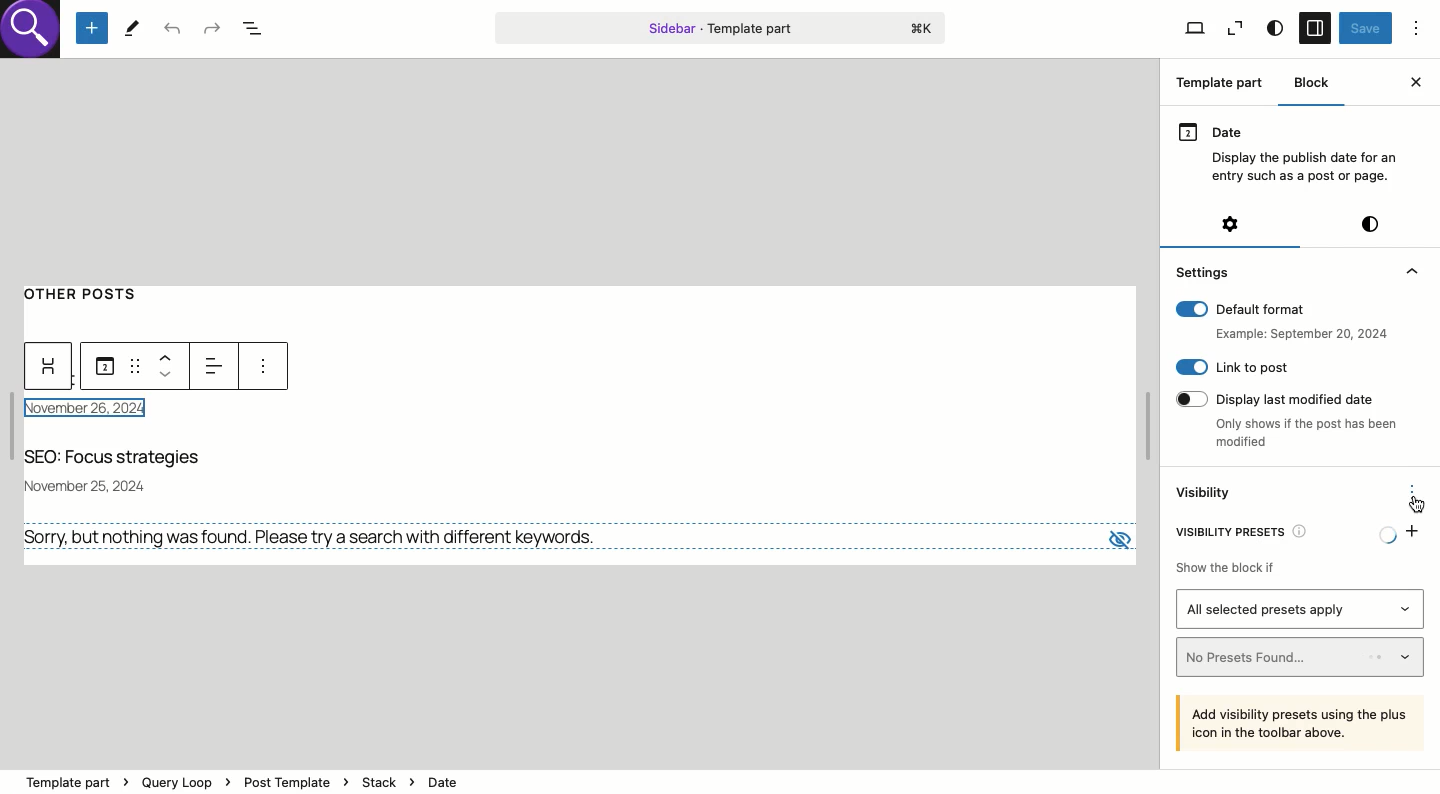  What do you see at coordinates (1302, 722) in the screenshot?
I see `Note` at bounding box center [1302, 722].